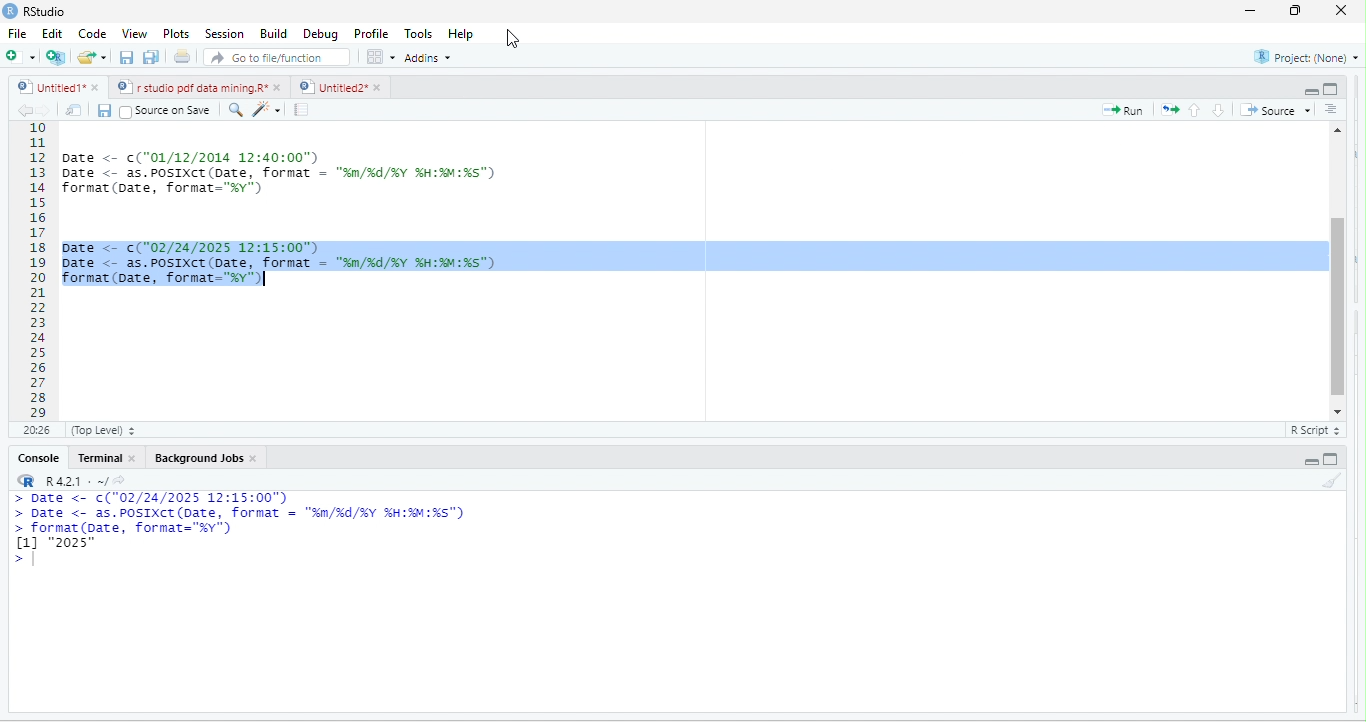  I want to click on close, so click(94, 87).